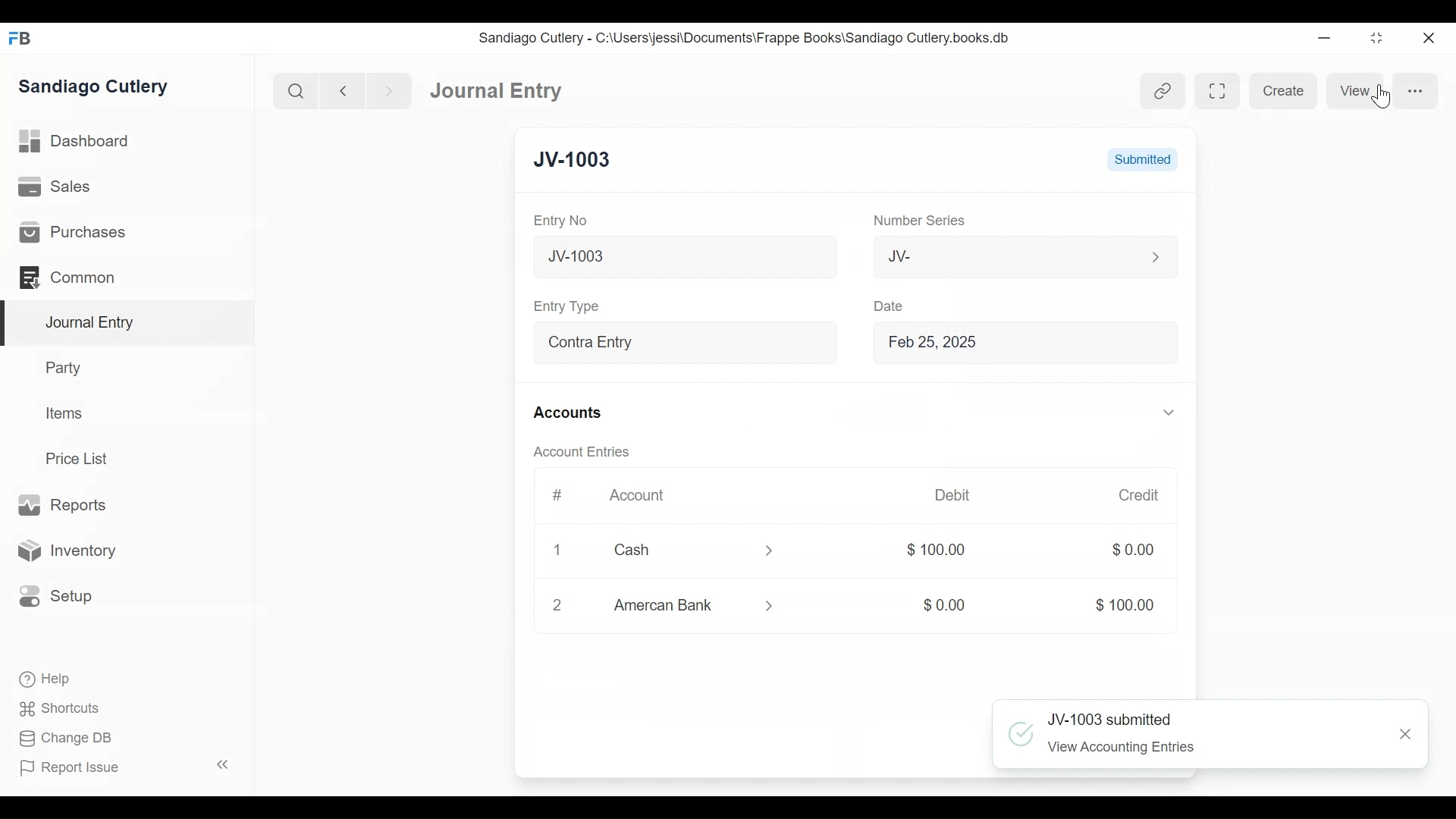 The width and height of the screenshot is (1456, 819). I want to click on Entry No, so click(565, 220).